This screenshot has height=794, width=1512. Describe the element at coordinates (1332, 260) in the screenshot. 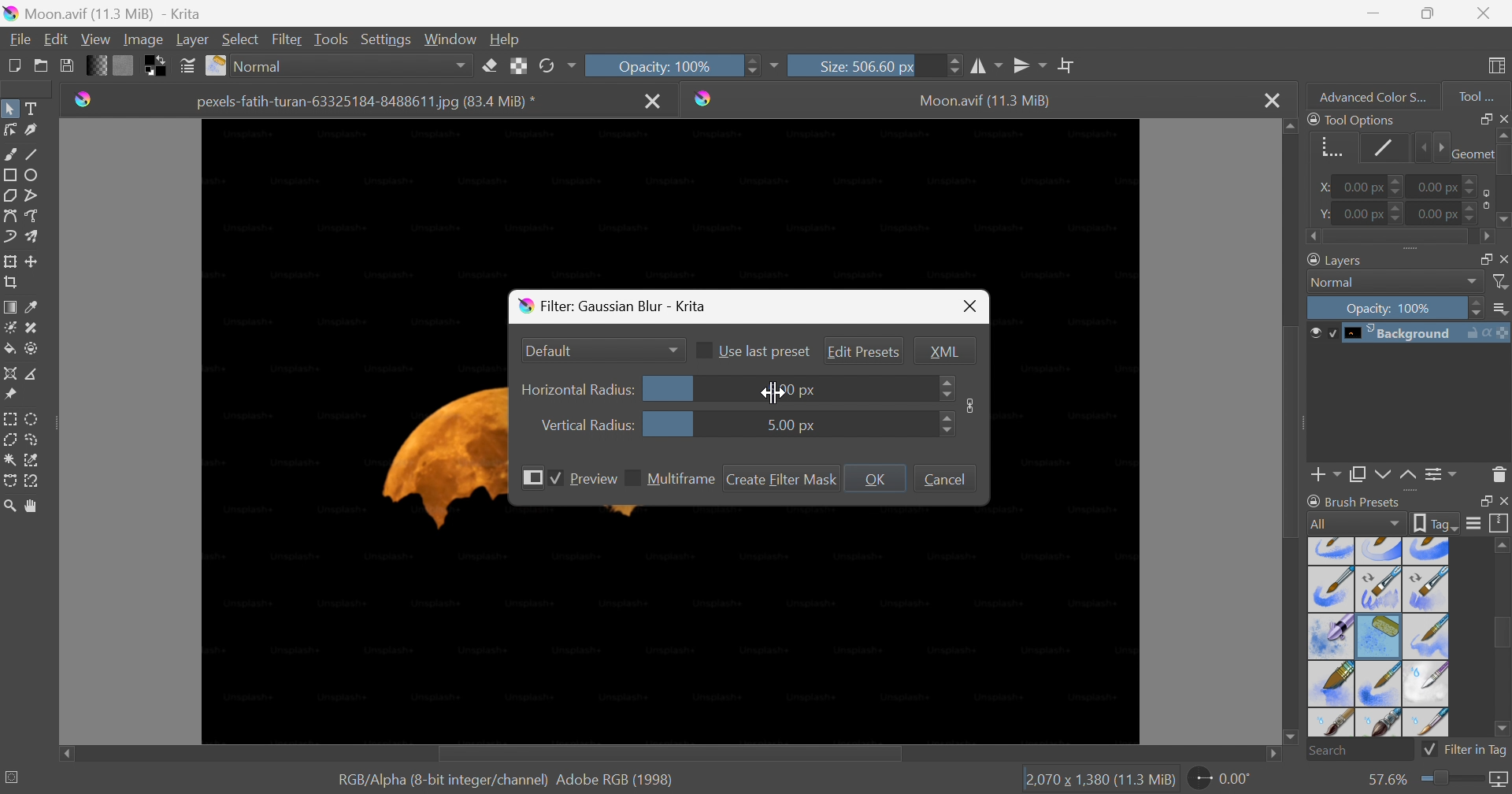

I see `Layers` at that location.